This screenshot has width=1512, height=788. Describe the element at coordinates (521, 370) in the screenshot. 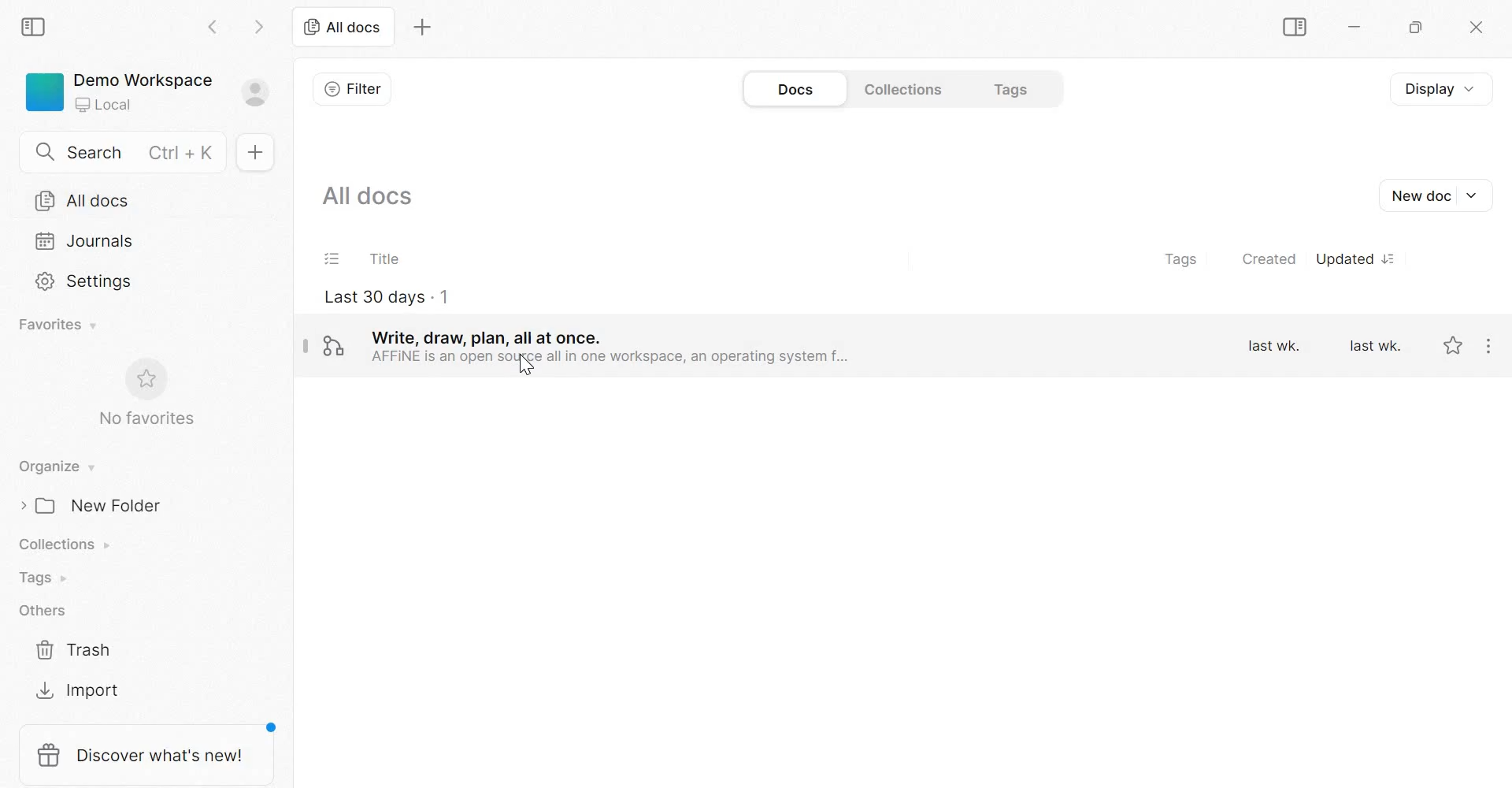

I see `cursor` at that location.